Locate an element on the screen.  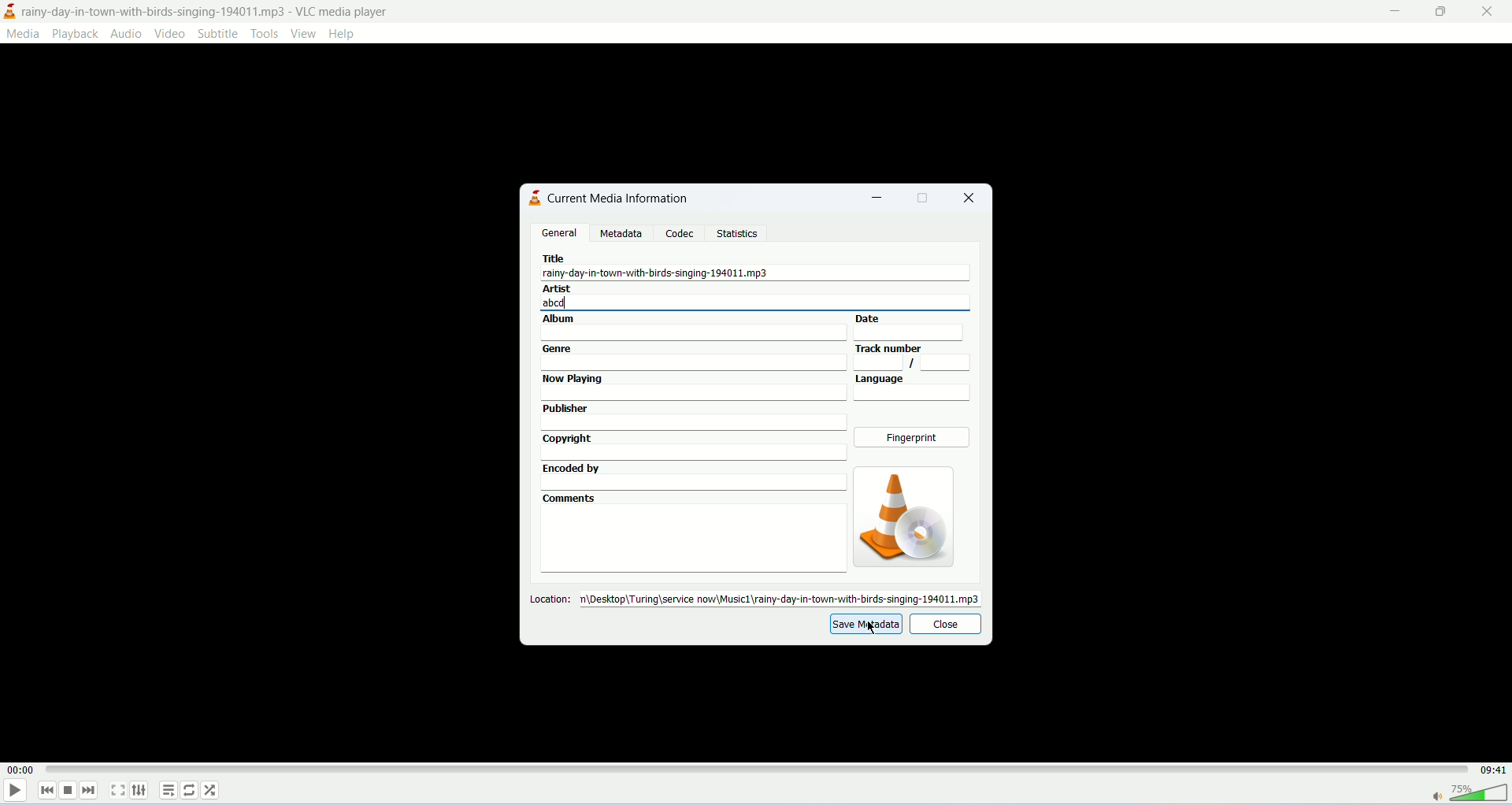
next is located at coordinates (94, 788).